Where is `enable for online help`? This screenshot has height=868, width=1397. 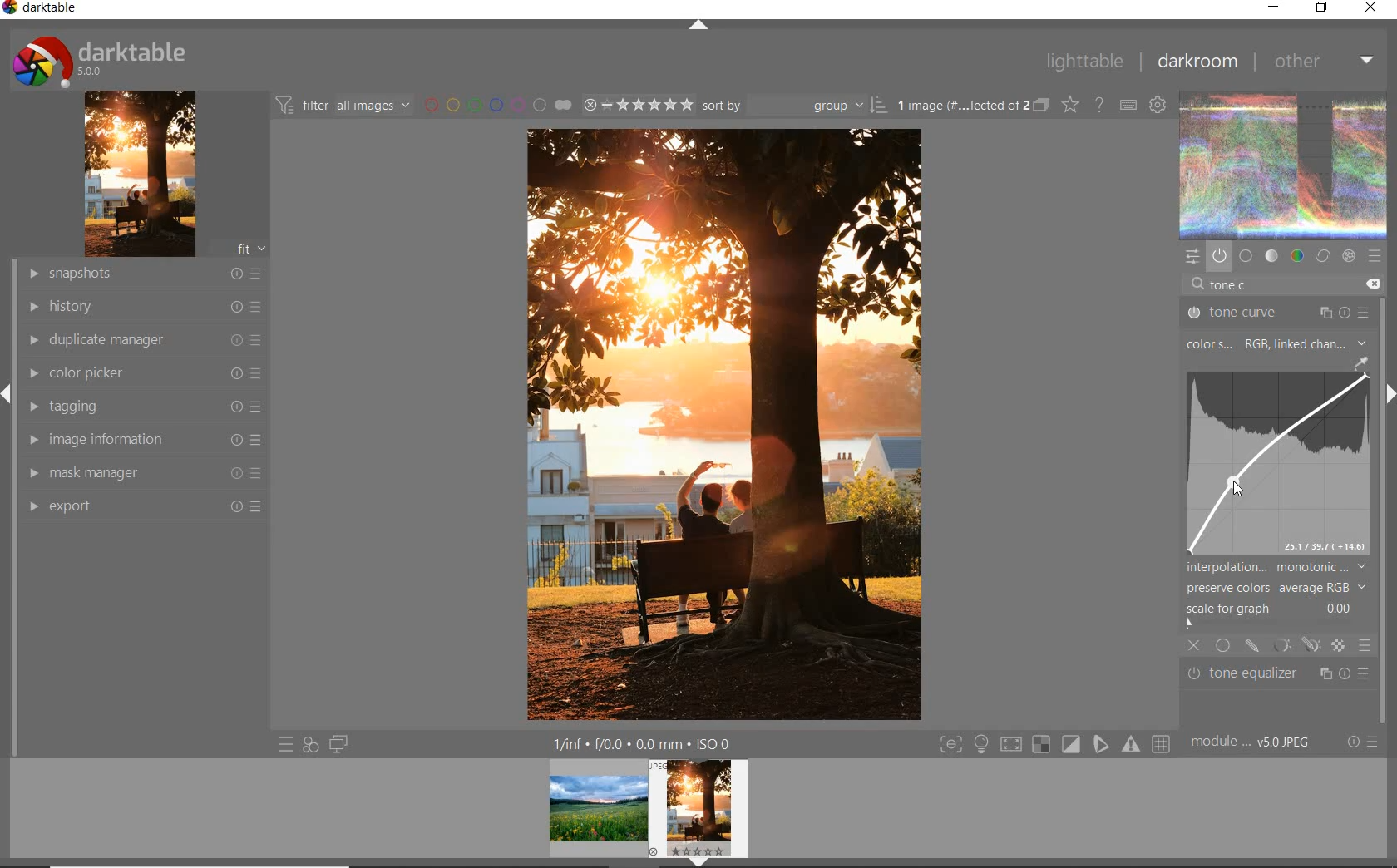 enable for online help is located at coordinates (1102, 106).